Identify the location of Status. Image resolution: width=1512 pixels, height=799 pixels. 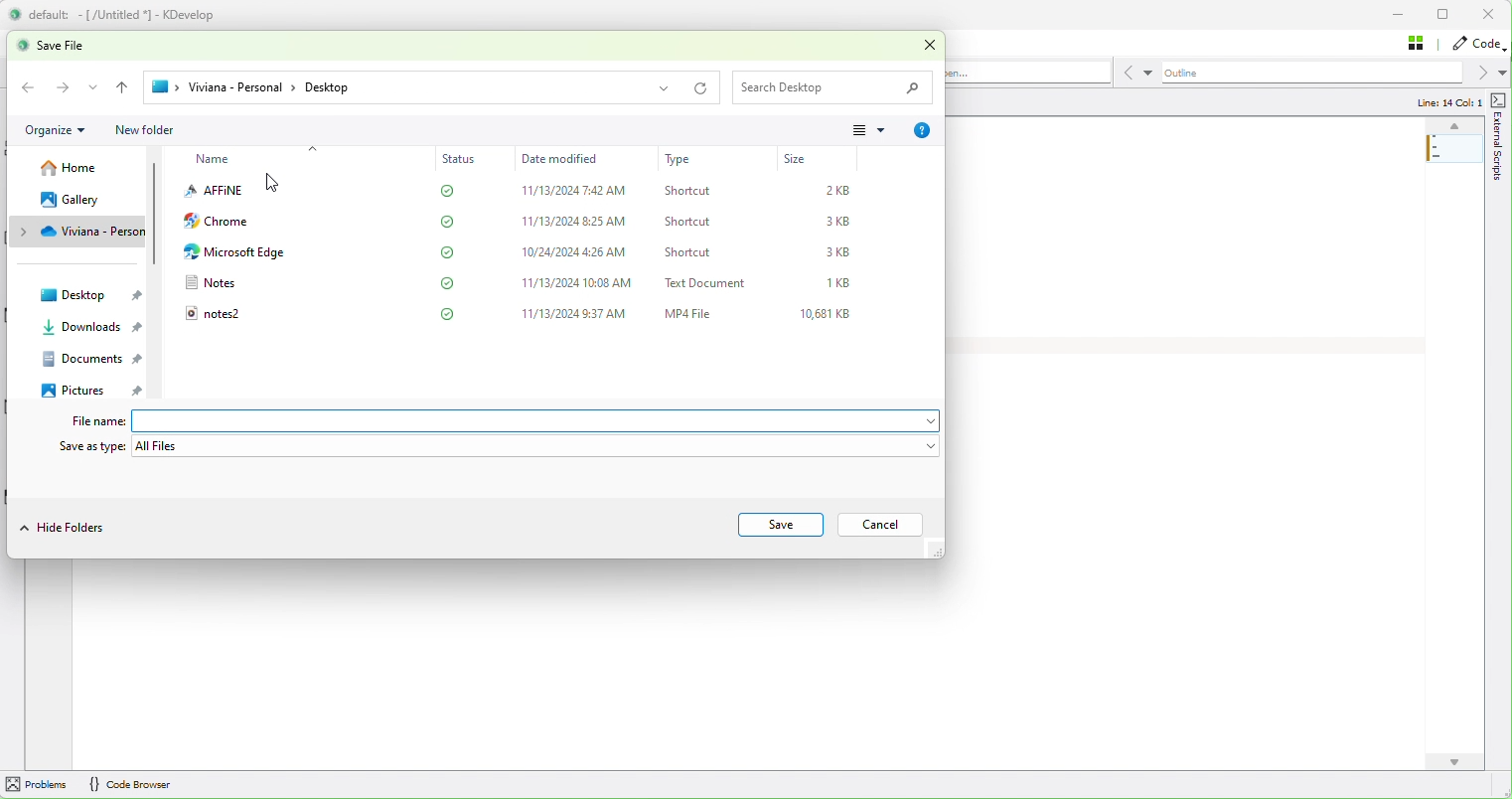
(461, 158).